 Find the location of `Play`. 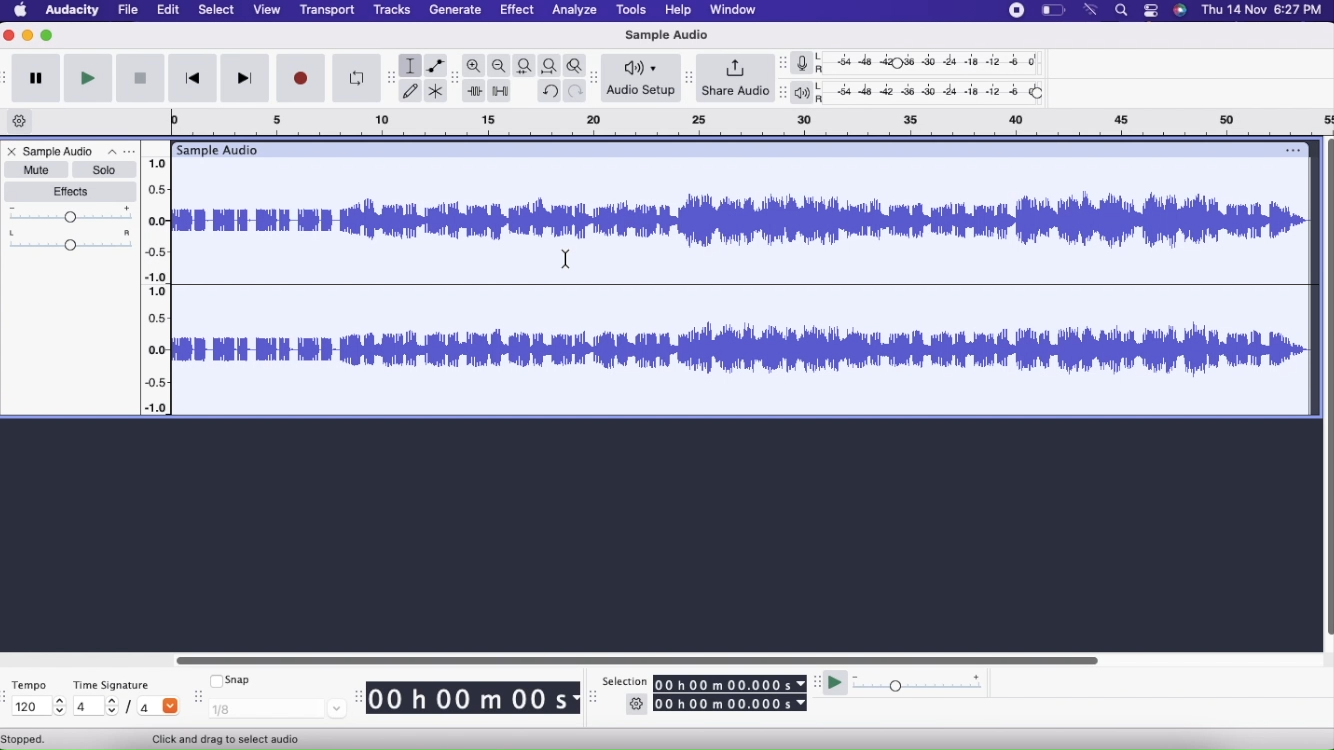

Play is located at coordinates (89, 79).